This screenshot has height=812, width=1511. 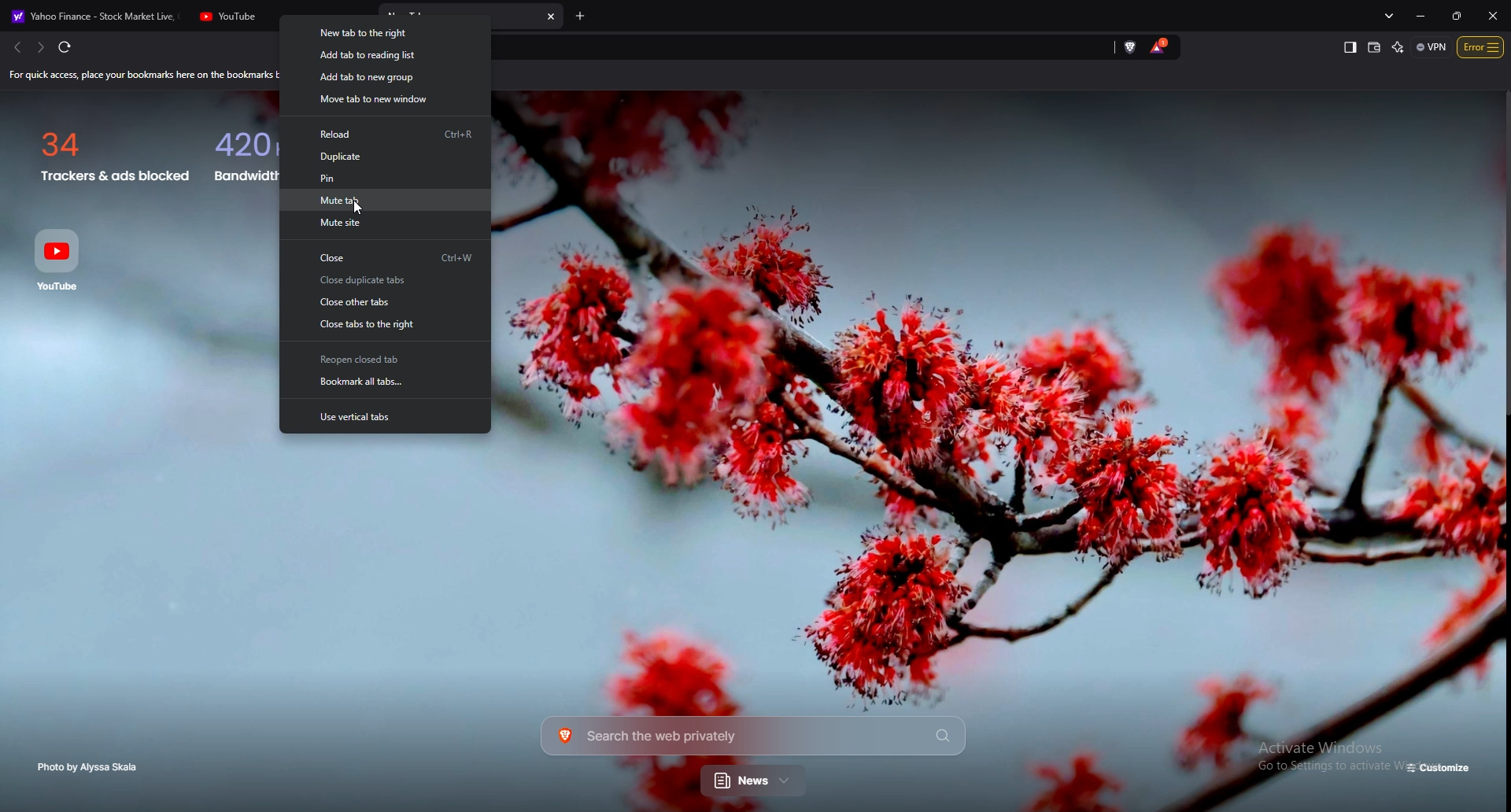 I want to click on add tab, so click(x=581, y=17).